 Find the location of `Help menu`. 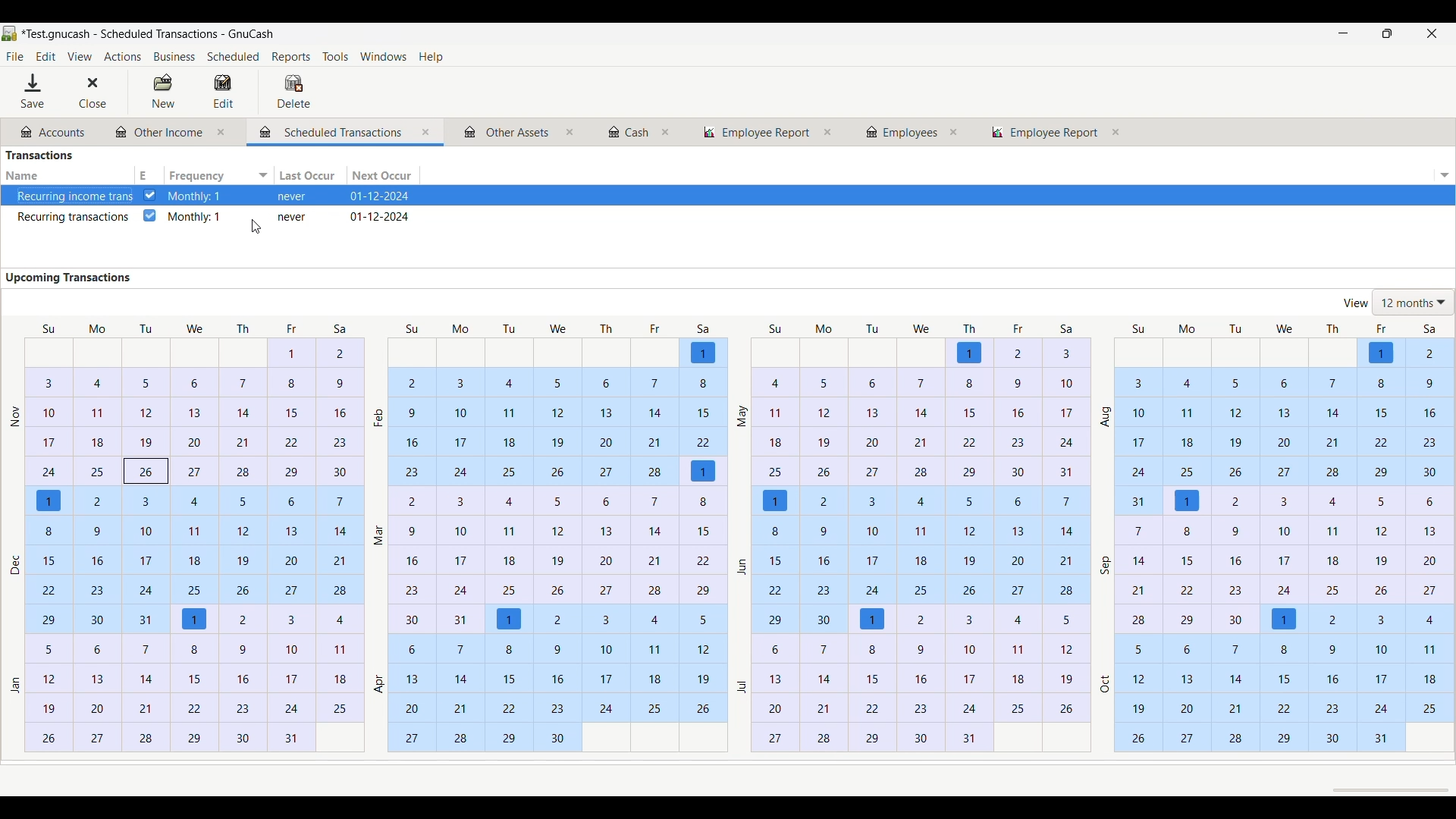

Help menu is located at coordinates (436, 58).